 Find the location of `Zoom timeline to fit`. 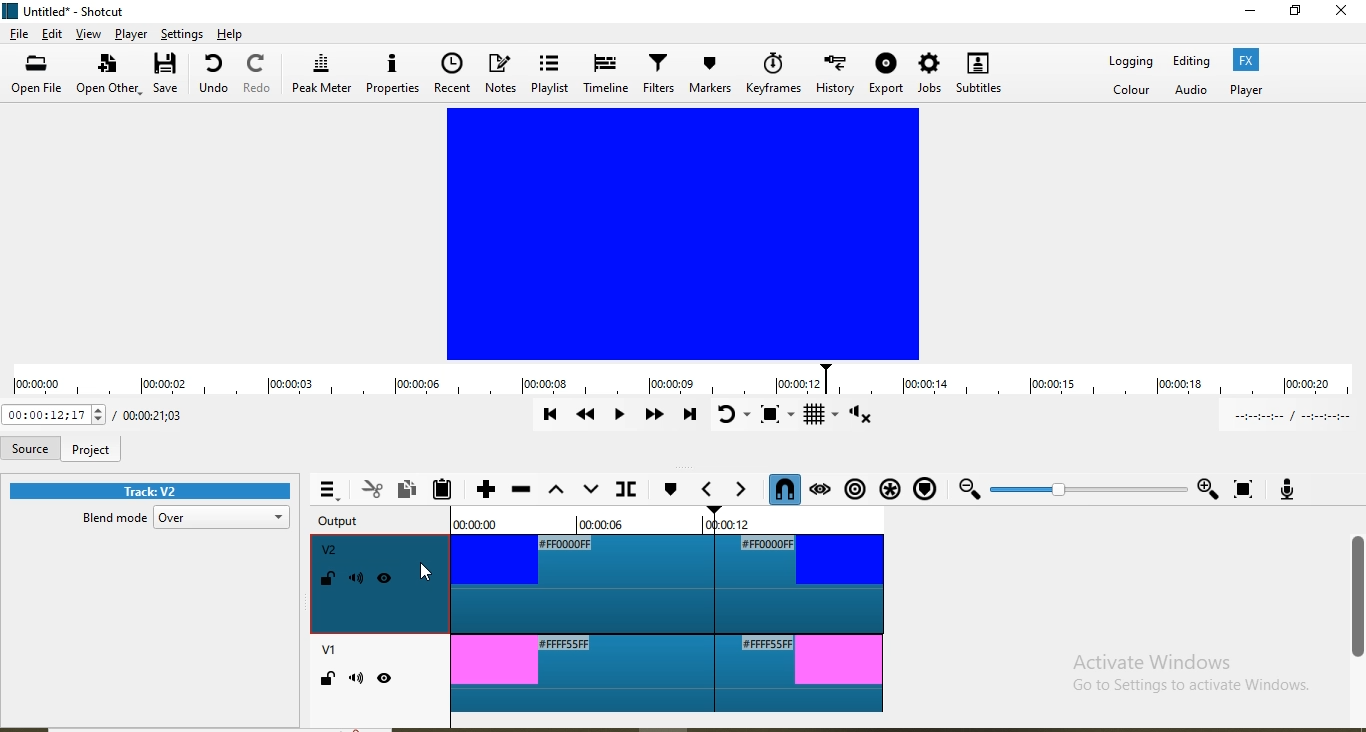

Zoom timeline to fit is located at coordinates (1242, 485).